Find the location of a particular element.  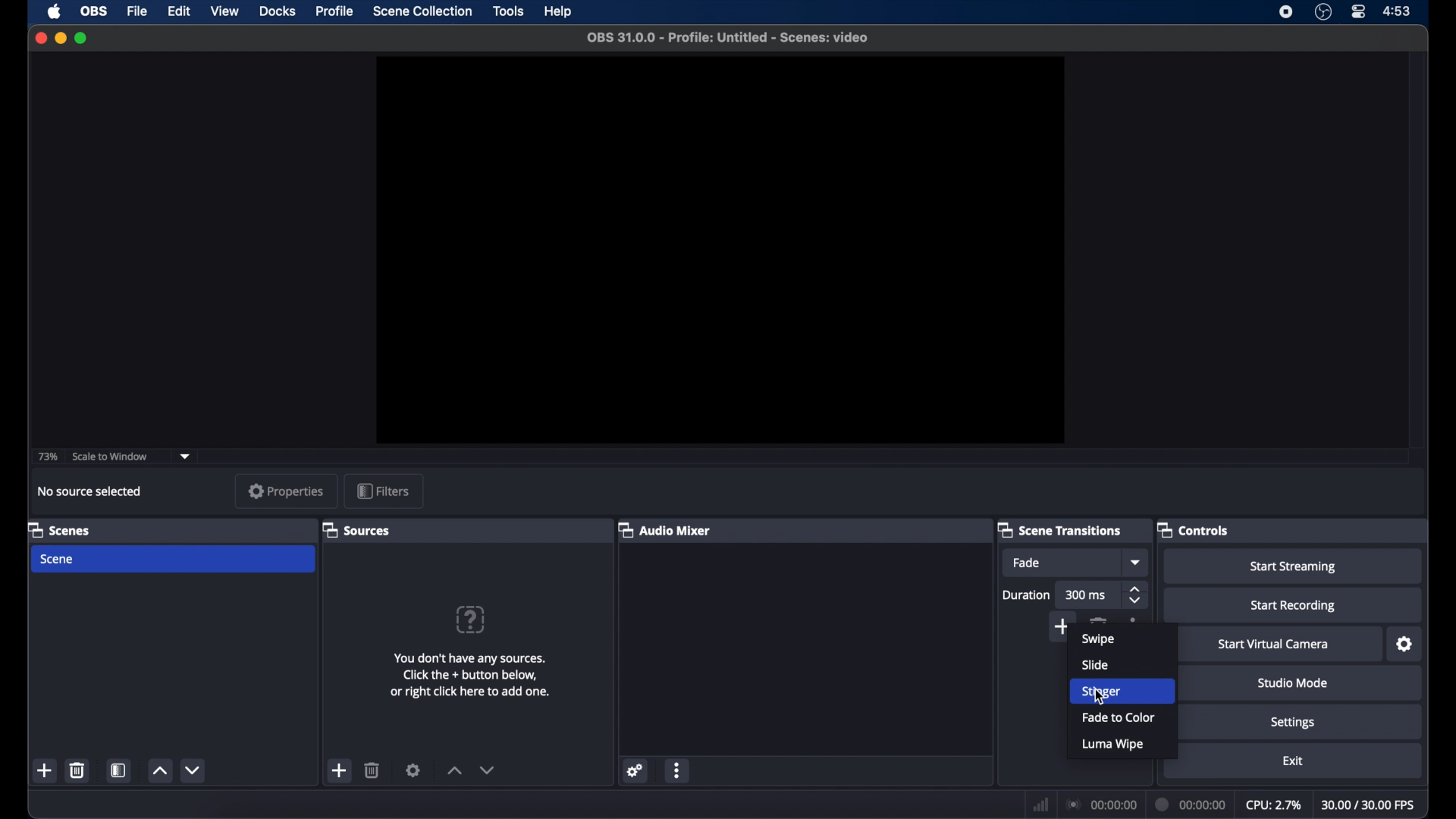

start virtual camera is located at coordinates (1272, 645).